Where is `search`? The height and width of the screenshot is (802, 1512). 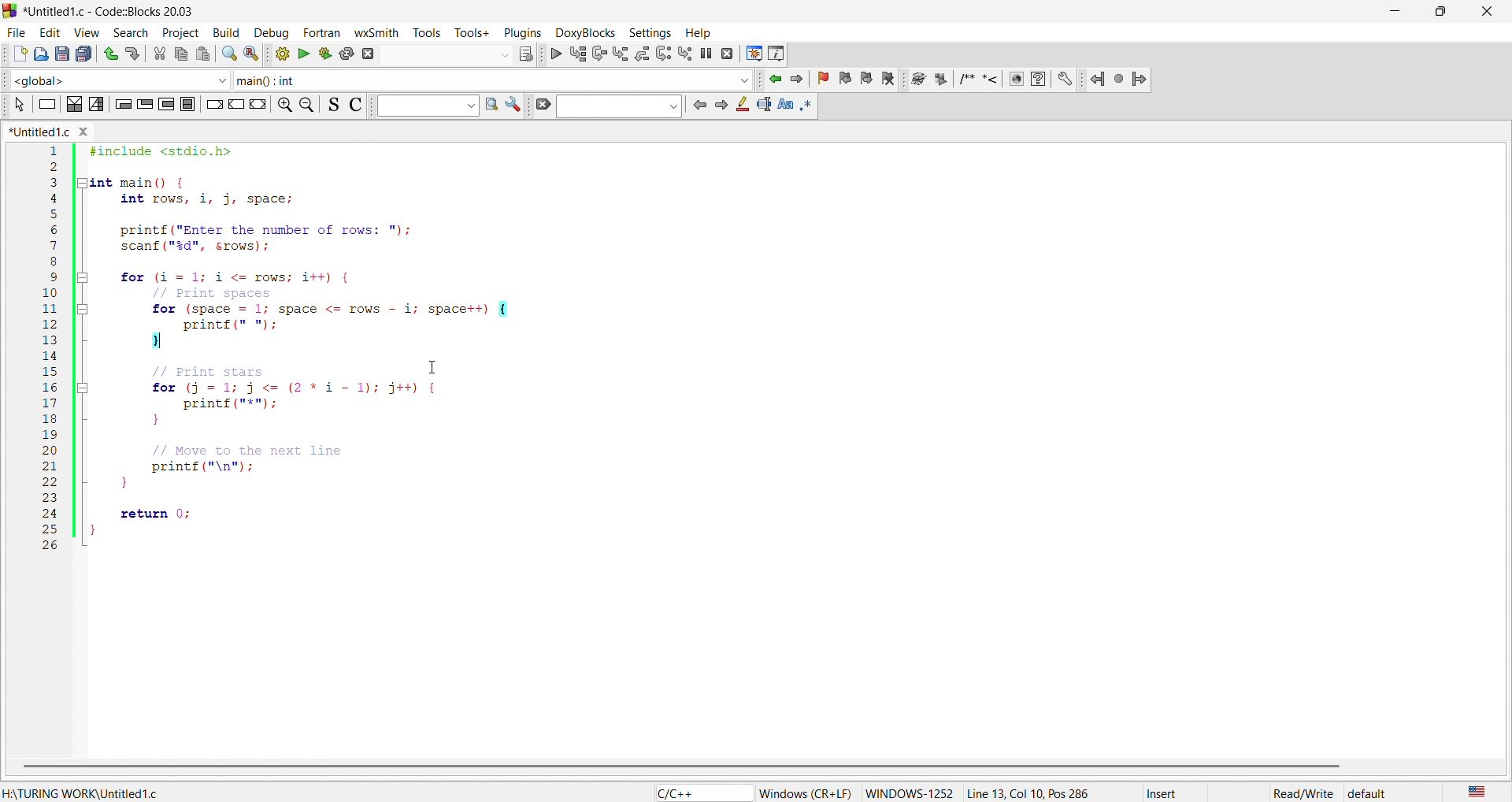
search is located at coordinates (228, 55).